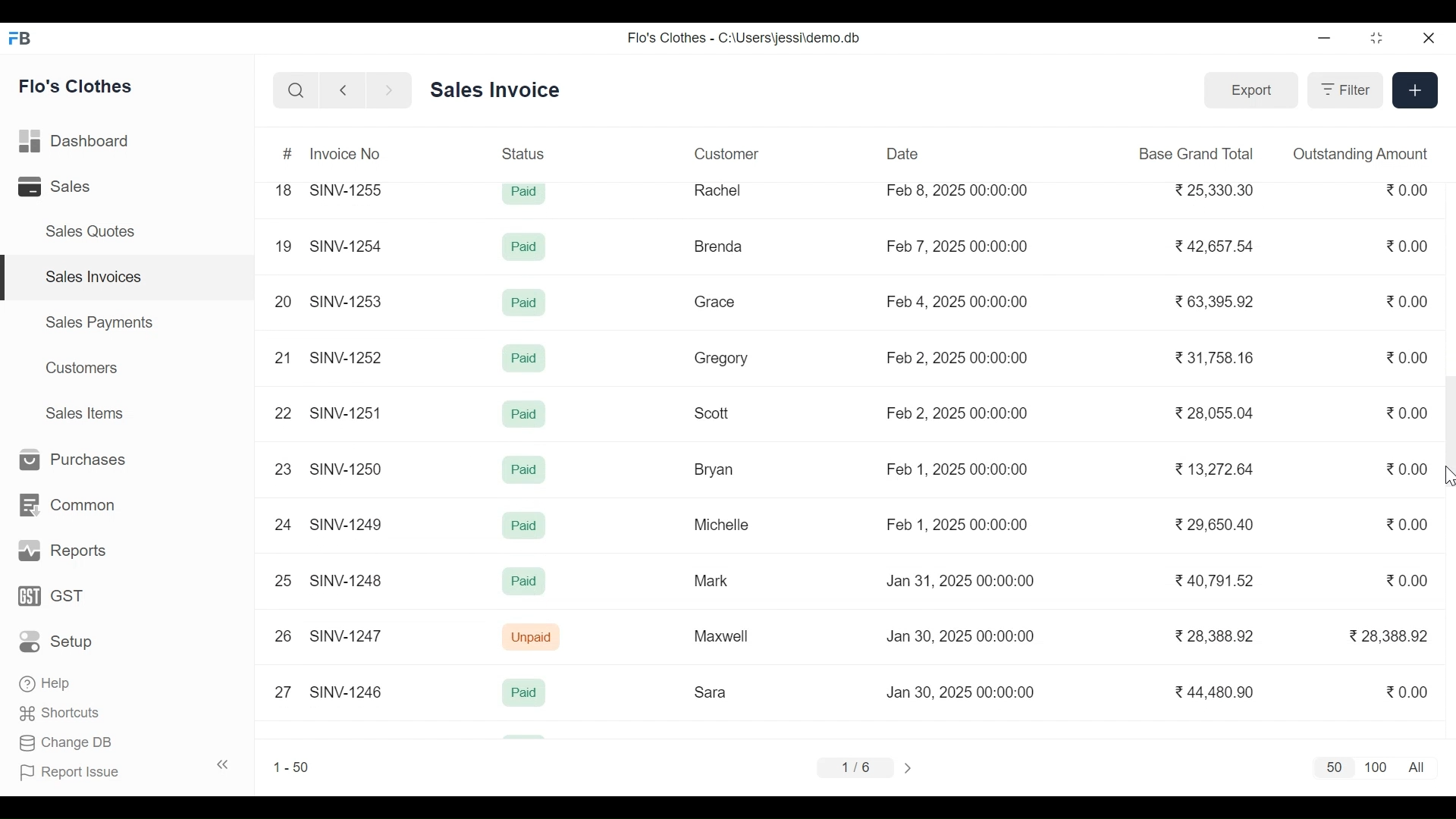 This screenshot has height=819, width=1456. I want to click on SINV-1255, so click(350, 188).